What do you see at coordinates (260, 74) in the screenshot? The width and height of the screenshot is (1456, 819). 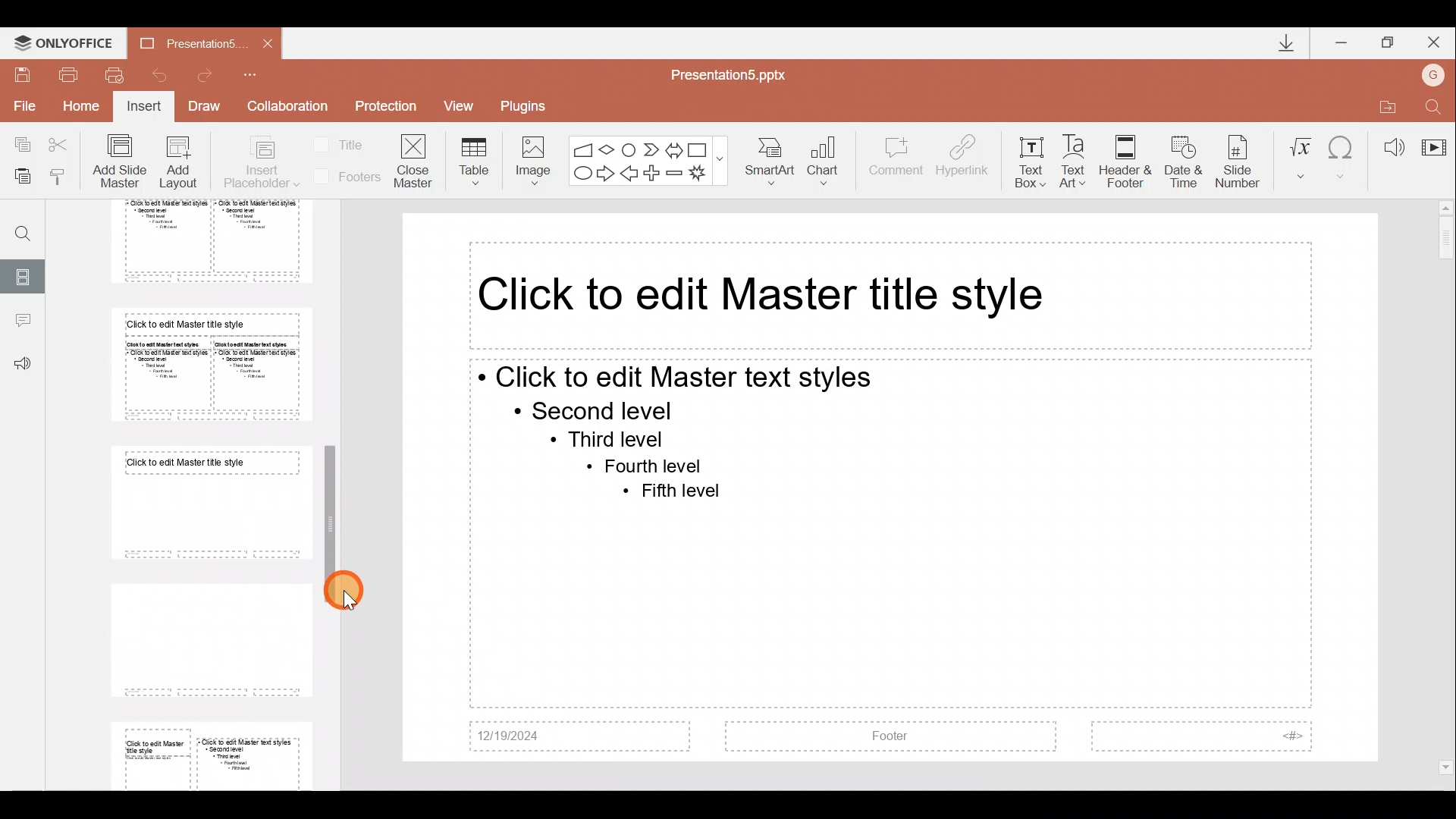 I see `Customize quick access toolbar` at bounding box center [260, 74].